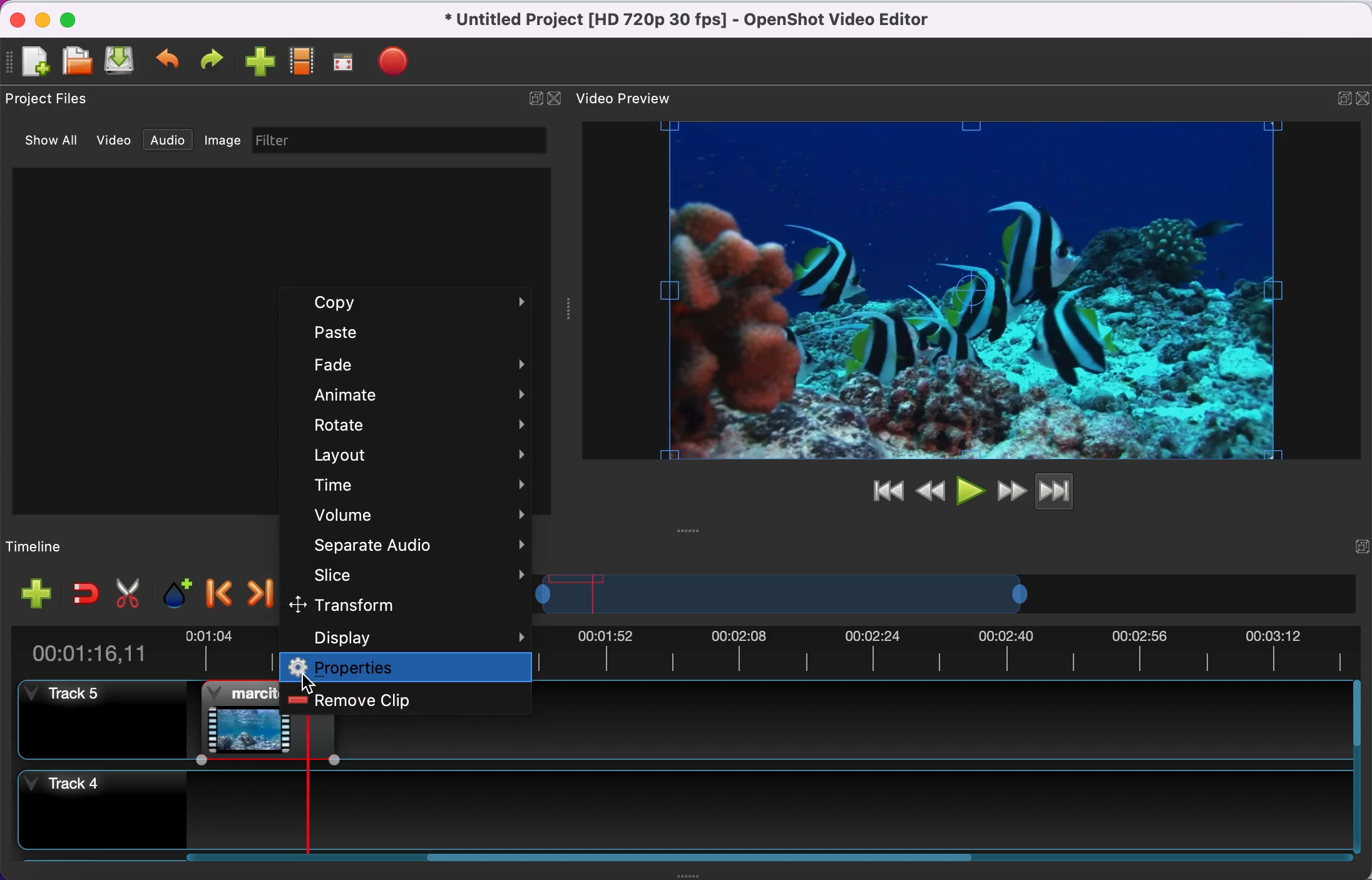 The height and width of the screenshot is (880, 1372). I want to click on full screen, so click(347, 62).